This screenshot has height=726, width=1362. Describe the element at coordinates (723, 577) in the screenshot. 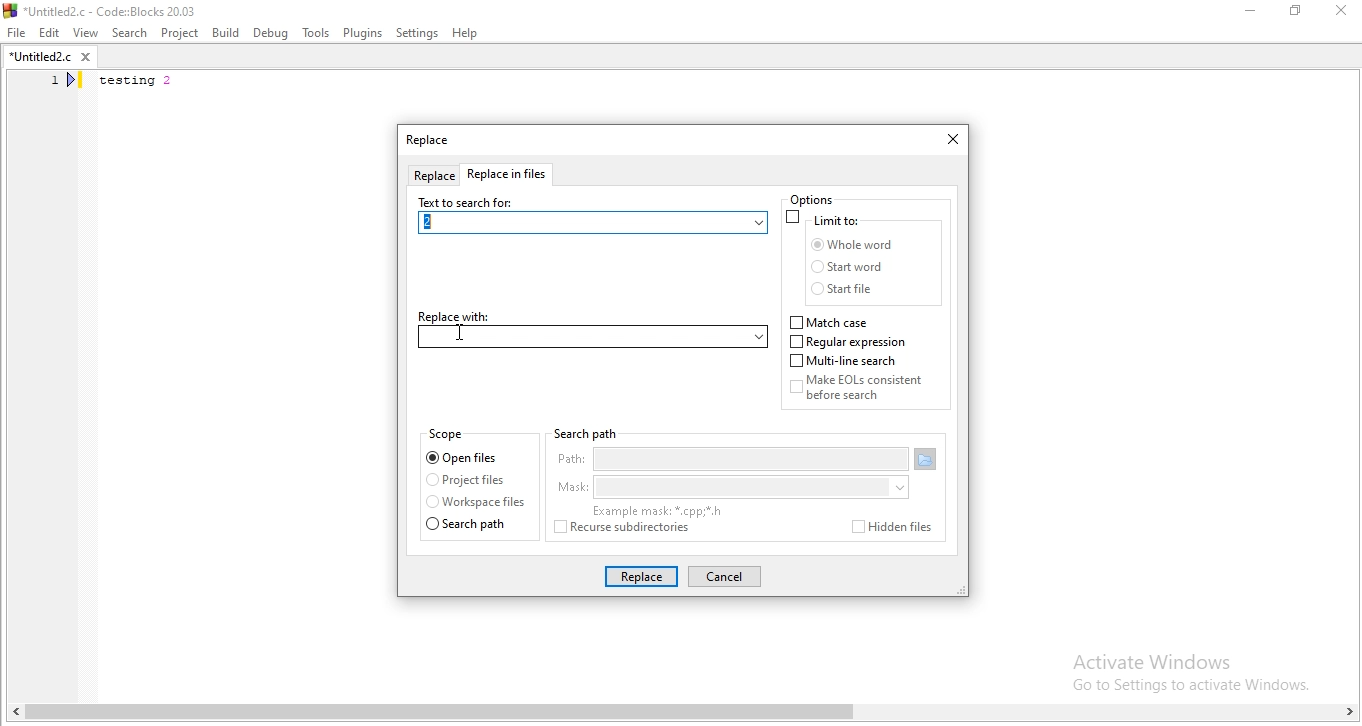

I see `cancel` at that location.